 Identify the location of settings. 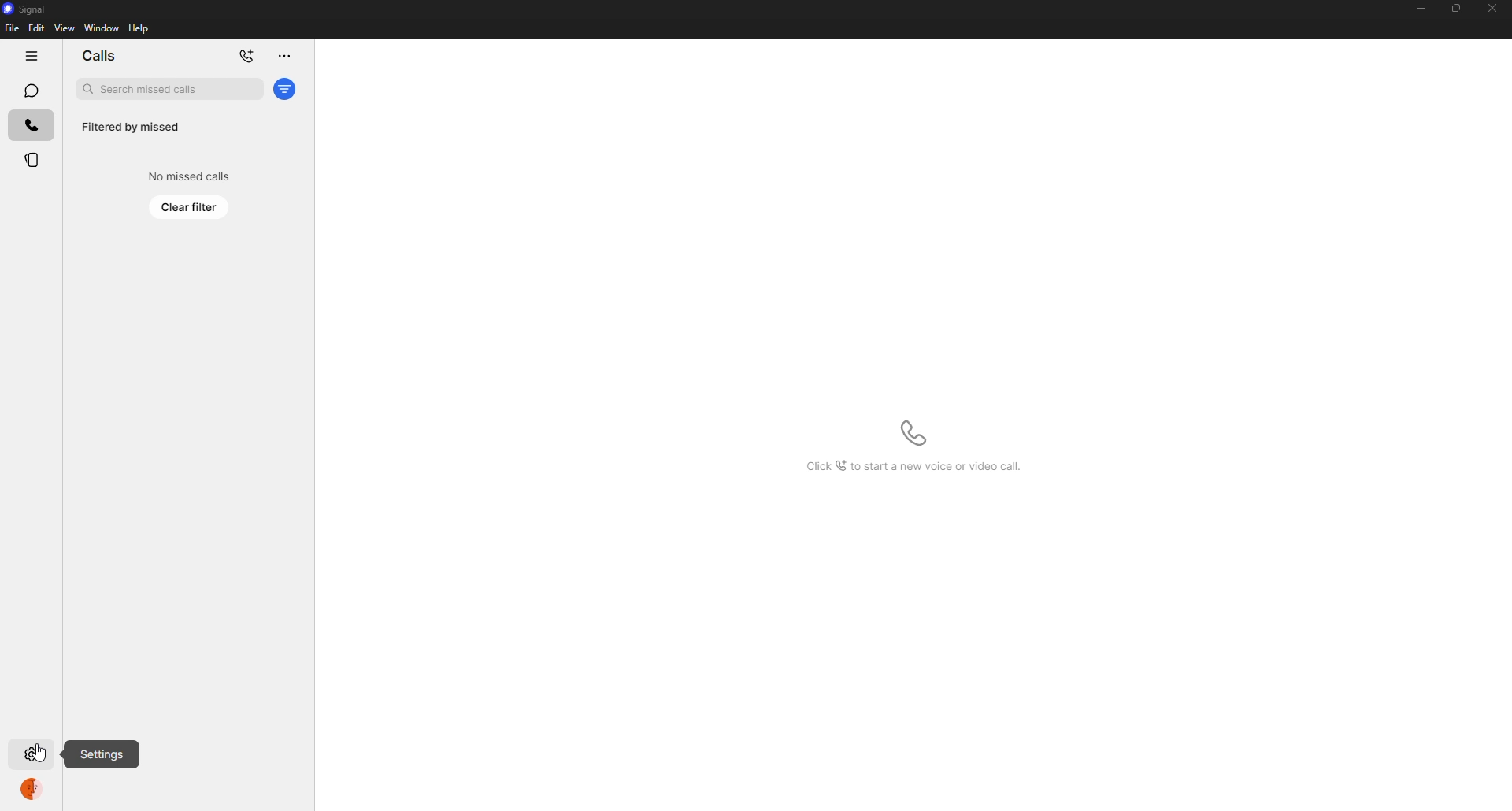
(102, 754).